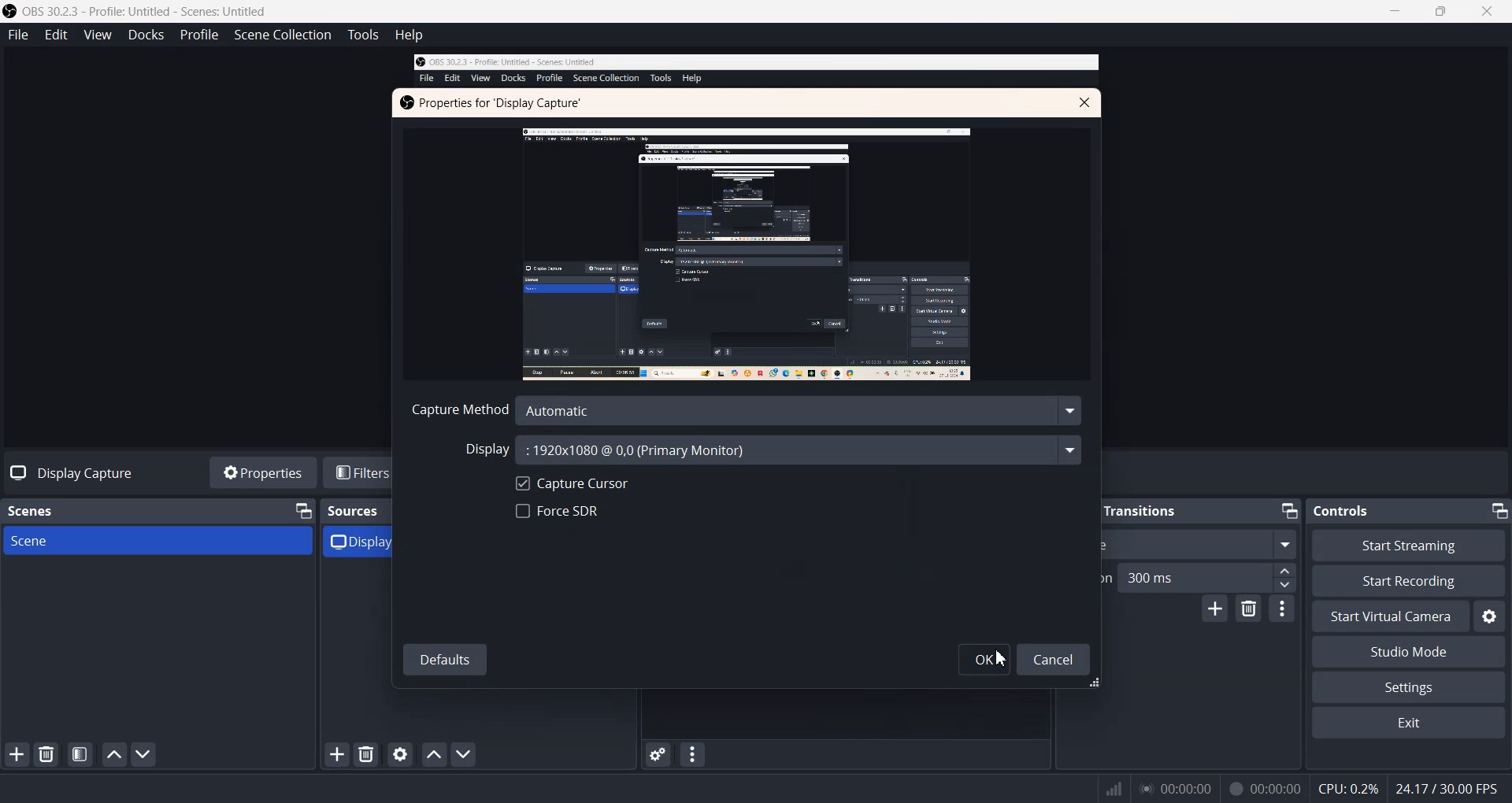 The image size is (1512, 803). I want to click on ® OBS 30.2.3 - Profile: Untitled - Scenes: Untitled, so click(148, 11).